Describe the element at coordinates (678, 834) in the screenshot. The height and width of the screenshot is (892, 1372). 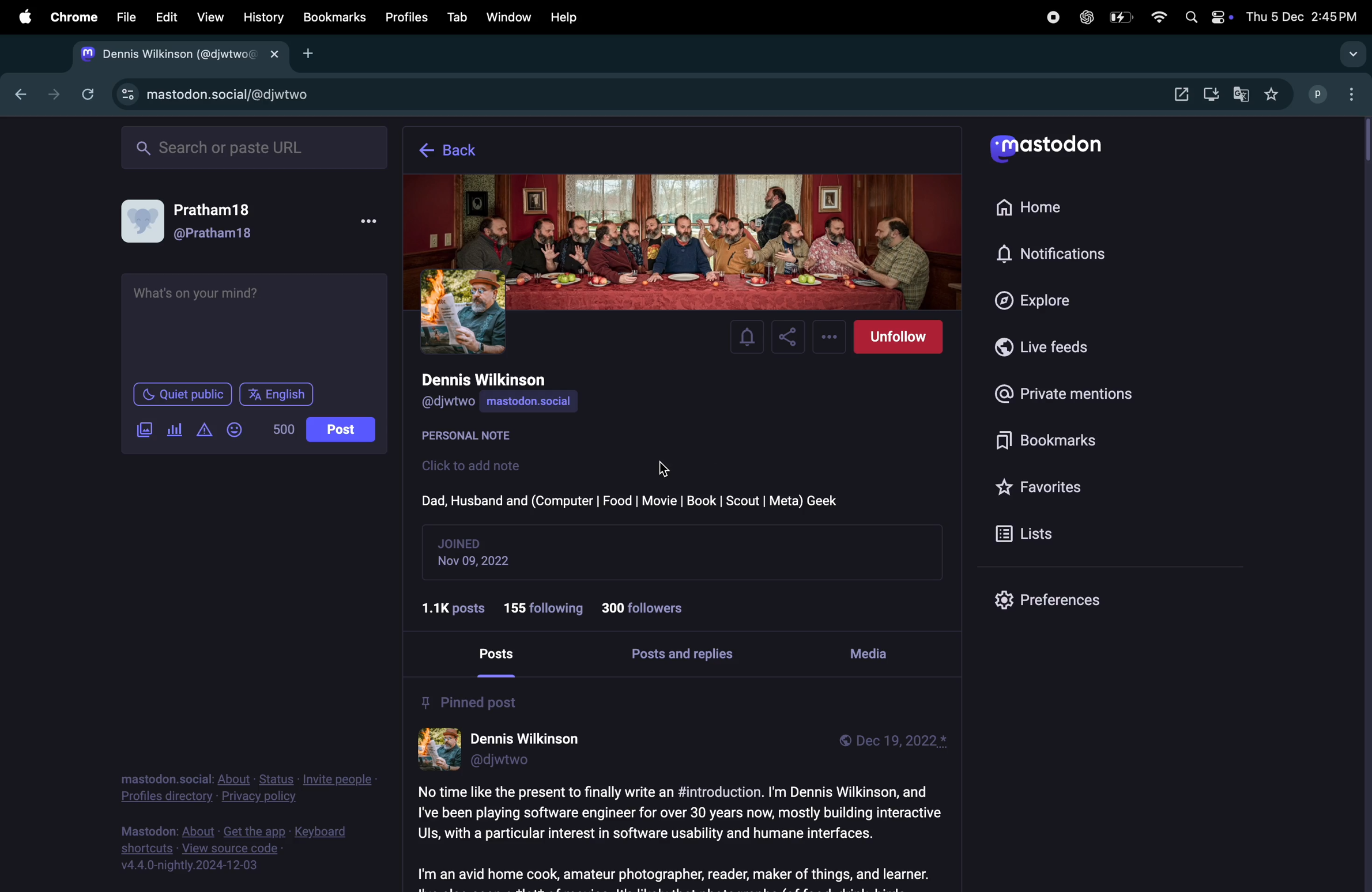
I see `post` at that location.